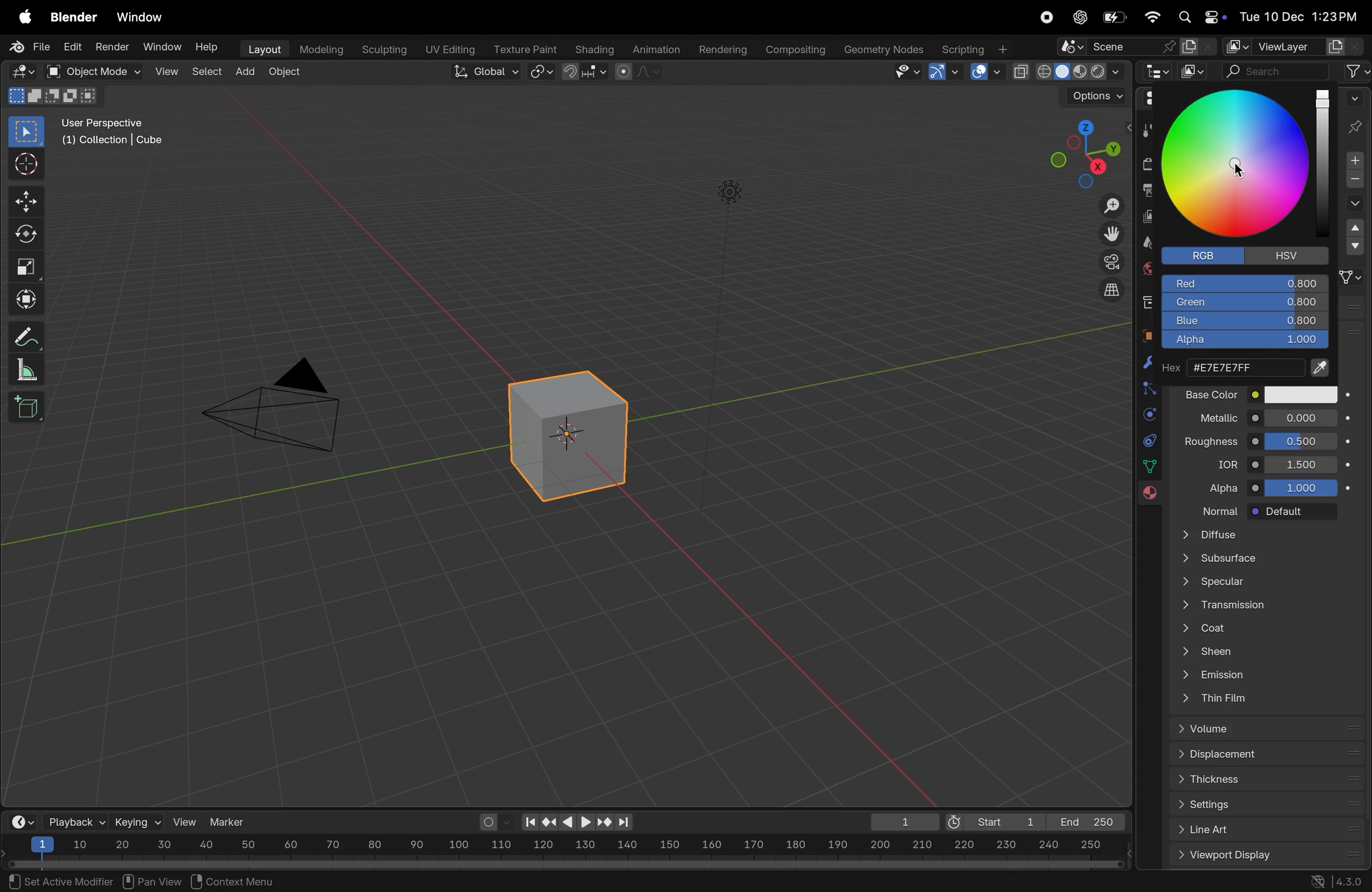  I want to click on Geometry, so click(885, 50).